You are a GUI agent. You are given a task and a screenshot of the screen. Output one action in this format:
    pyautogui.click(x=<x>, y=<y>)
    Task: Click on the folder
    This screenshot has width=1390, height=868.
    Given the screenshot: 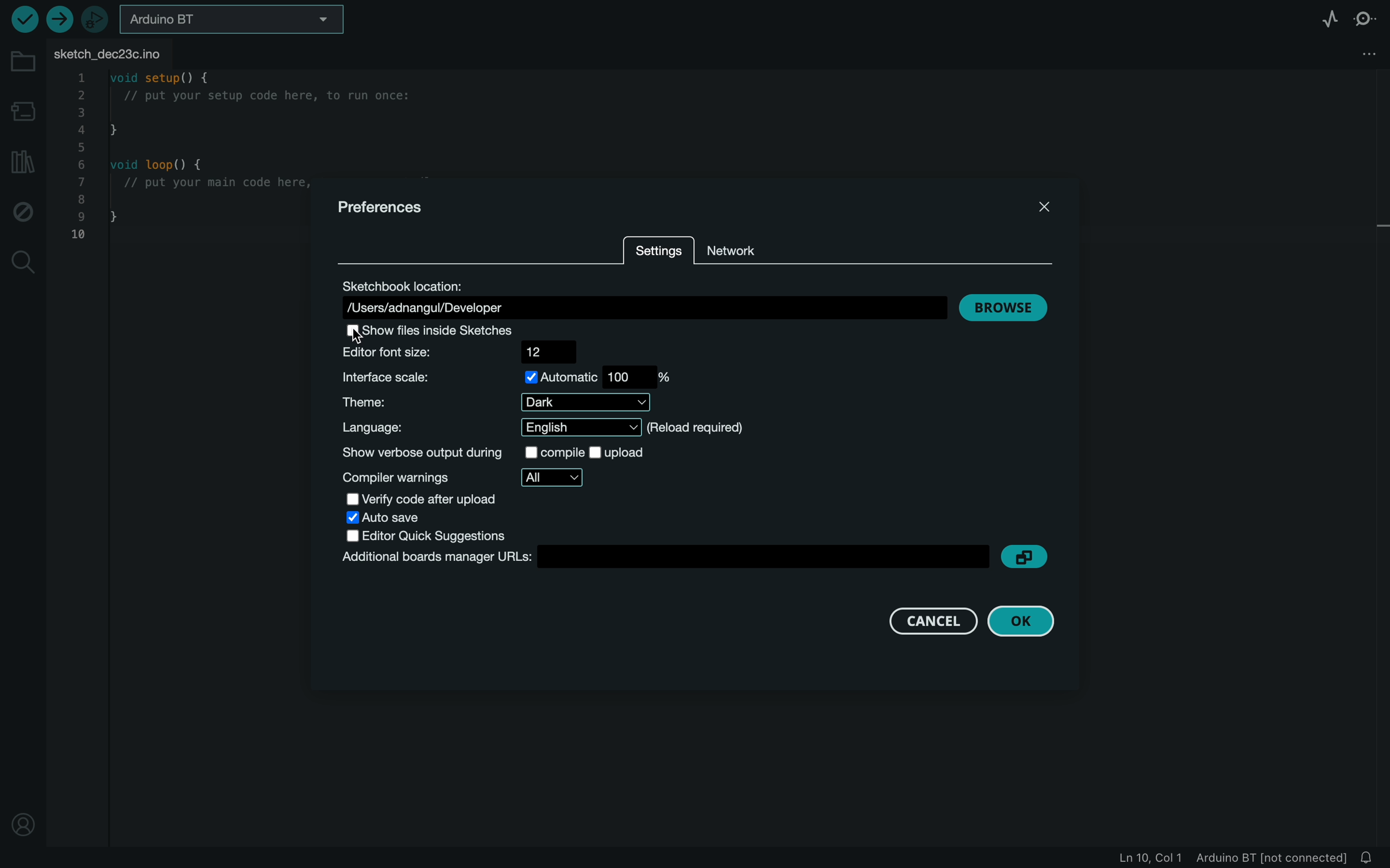 What is the action you would take?
    pyautogui.click(x=21, y=61)
    